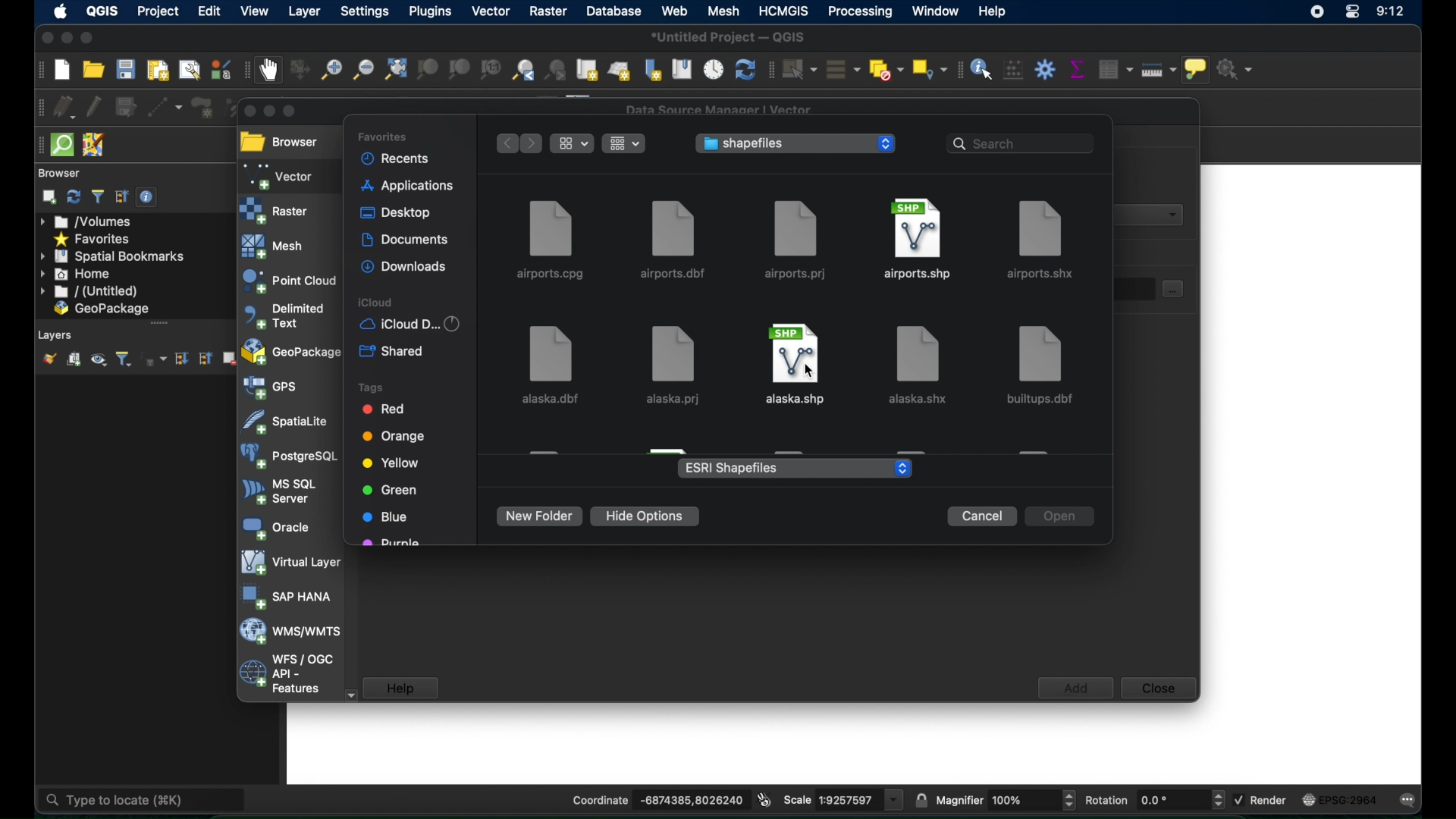  I want to click on raster, so click(545, 12).